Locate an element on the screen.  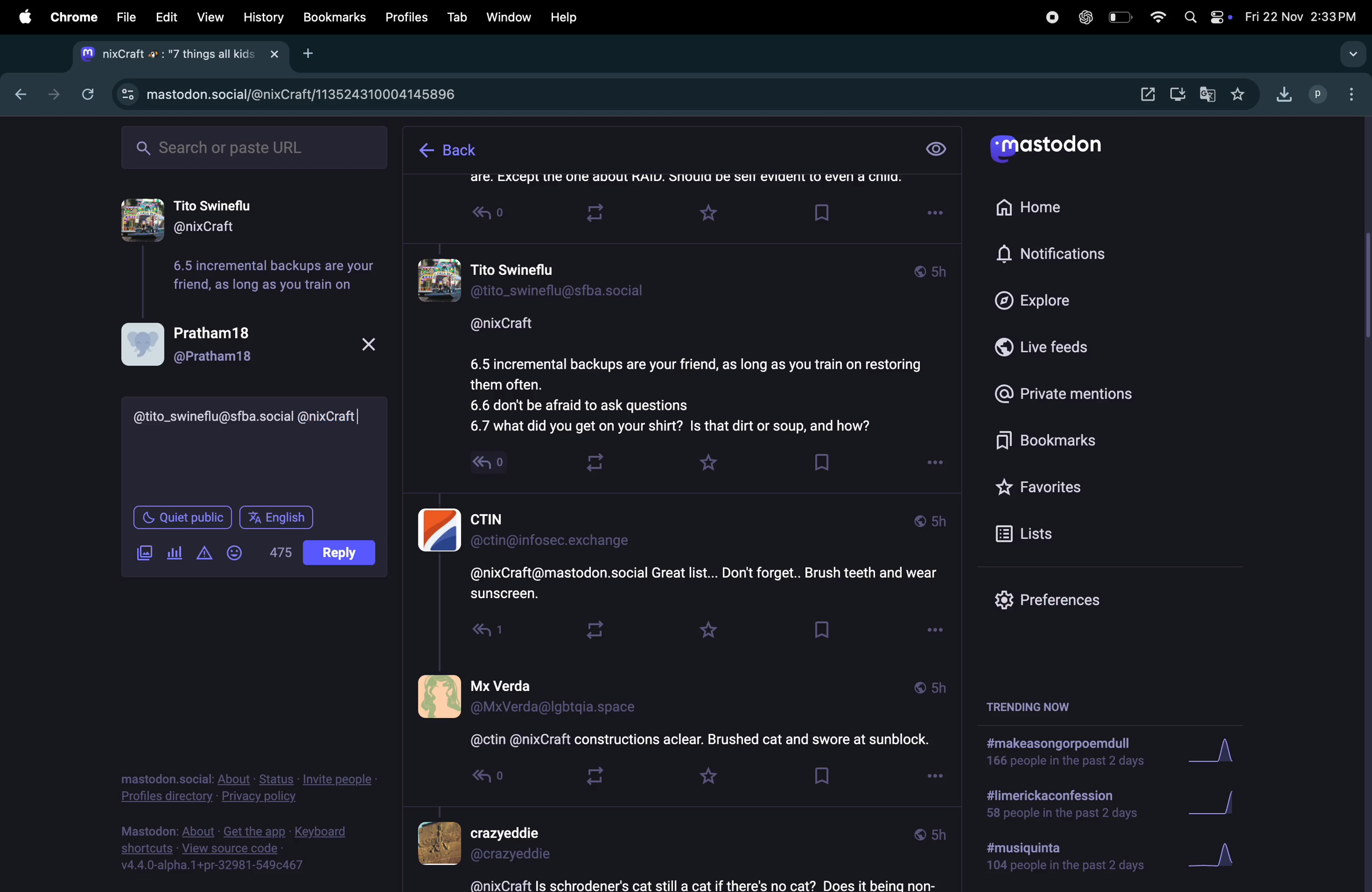
options is located at coordinates (932, 466).